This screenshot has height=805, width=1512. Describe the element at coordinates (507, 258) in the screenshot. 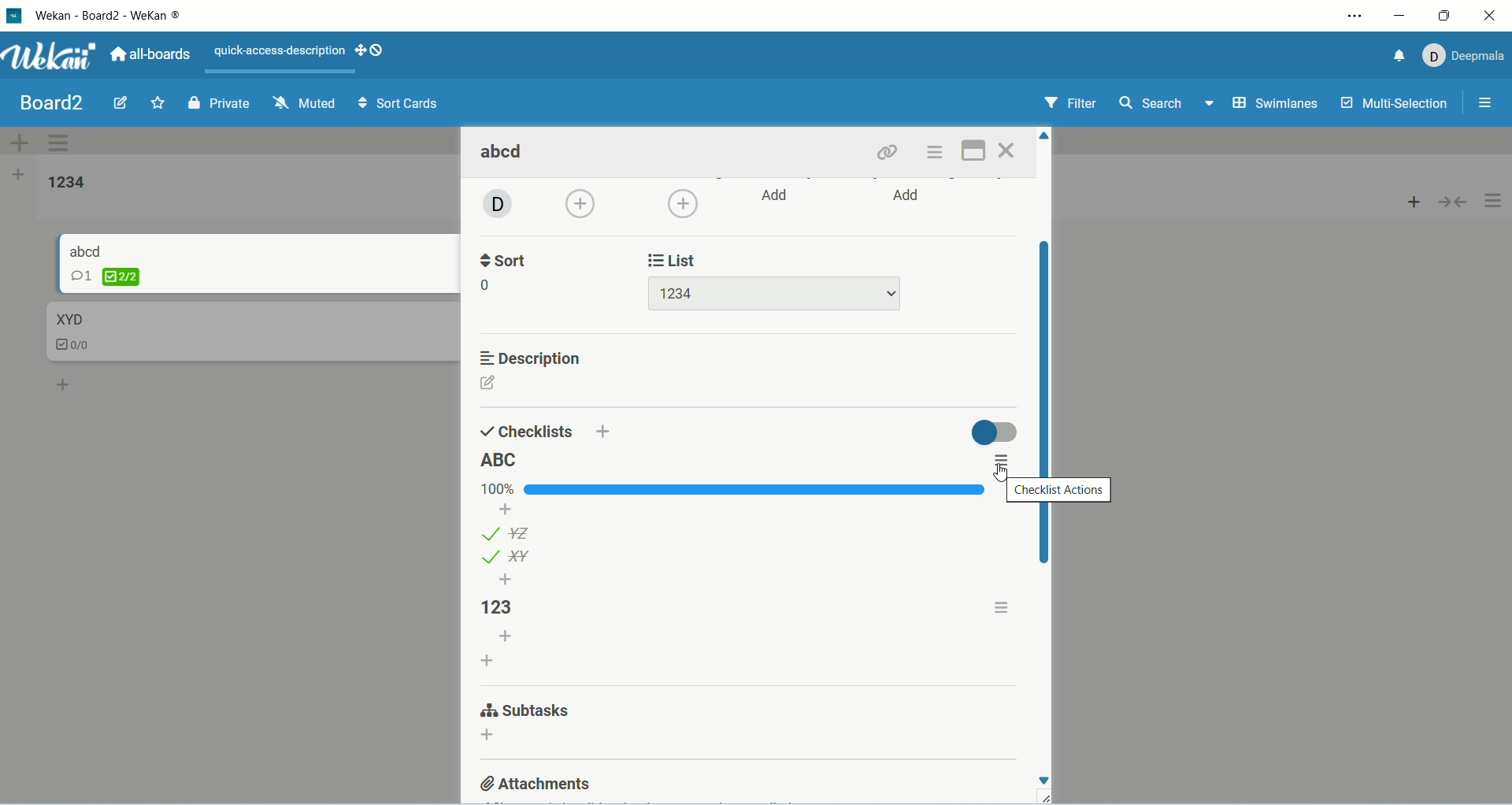

I see `sort` at that location.